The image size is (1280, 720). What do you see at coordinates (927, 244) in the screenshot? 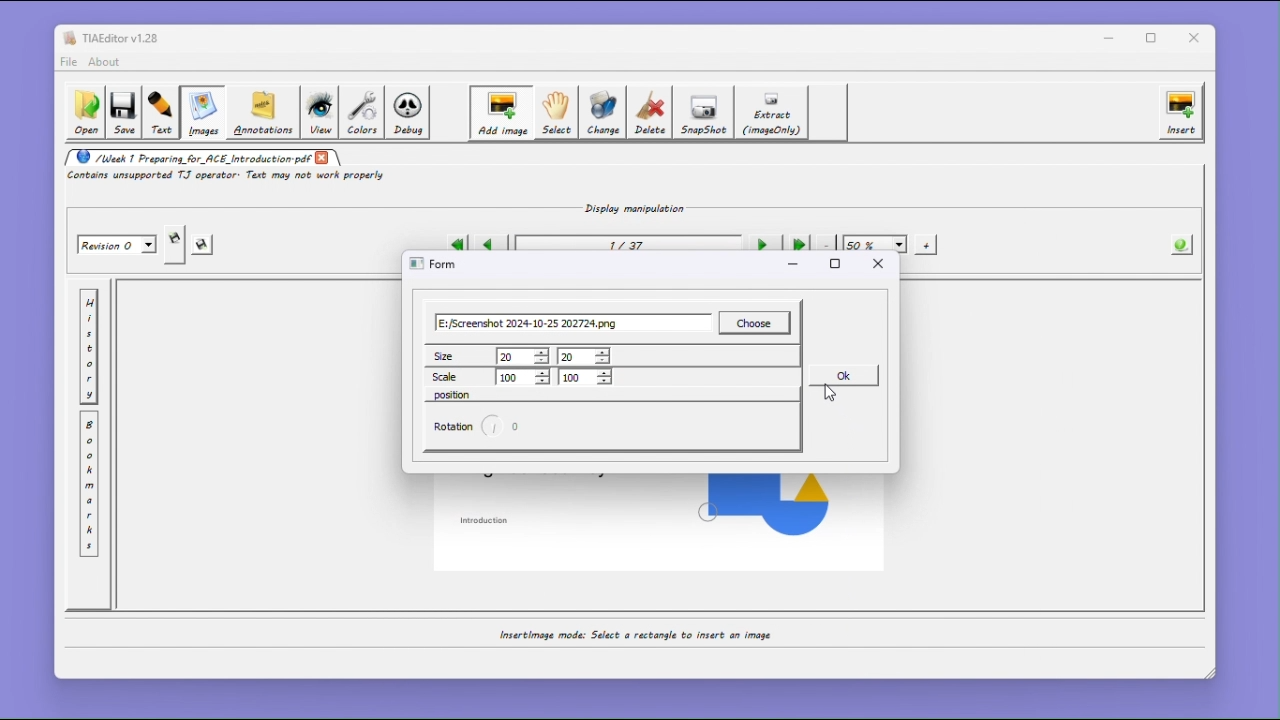
I see `+` at bounding box center [927, 244].